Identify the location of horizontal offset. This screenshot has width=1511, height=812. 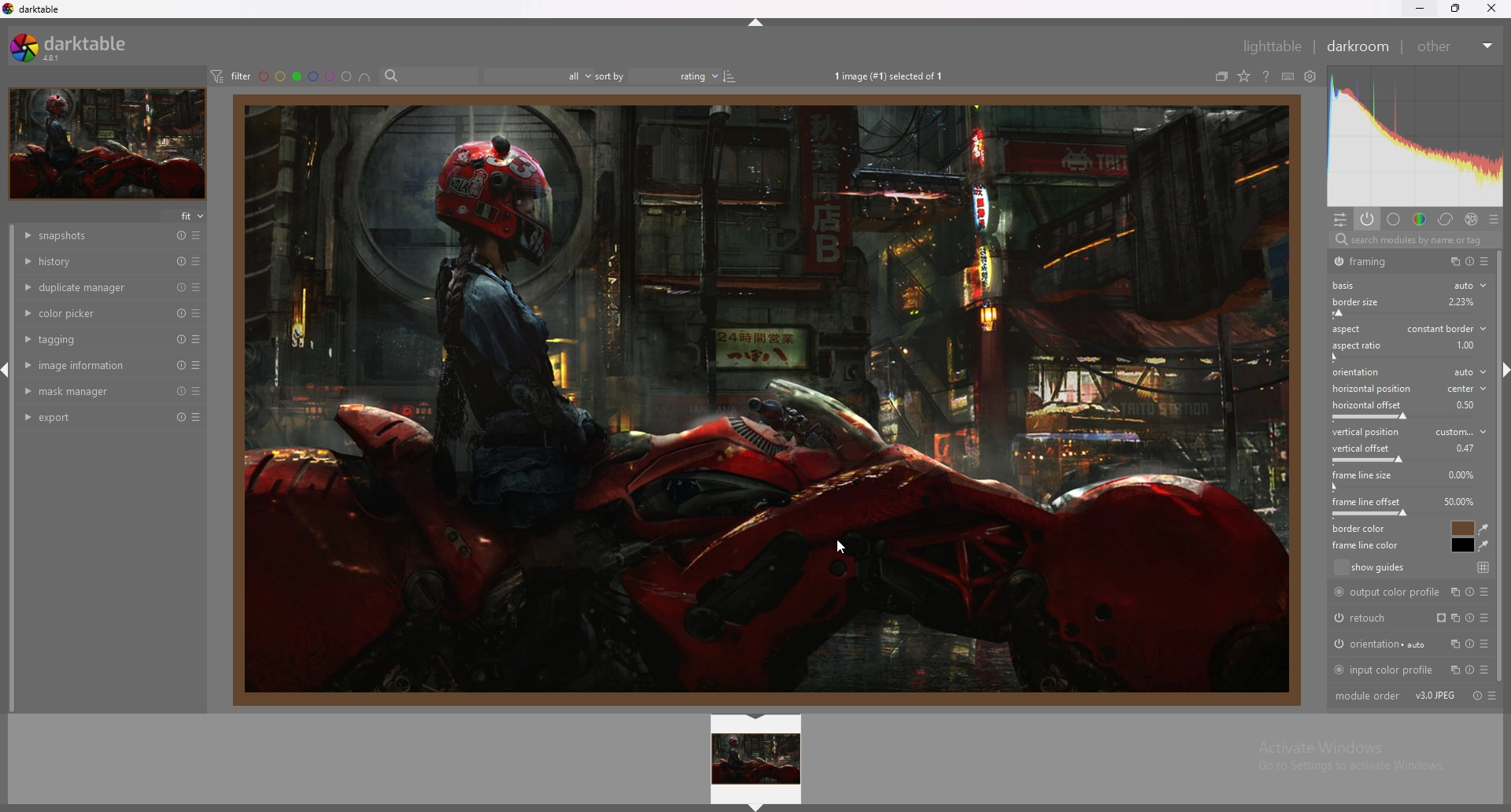
(1369, 405).